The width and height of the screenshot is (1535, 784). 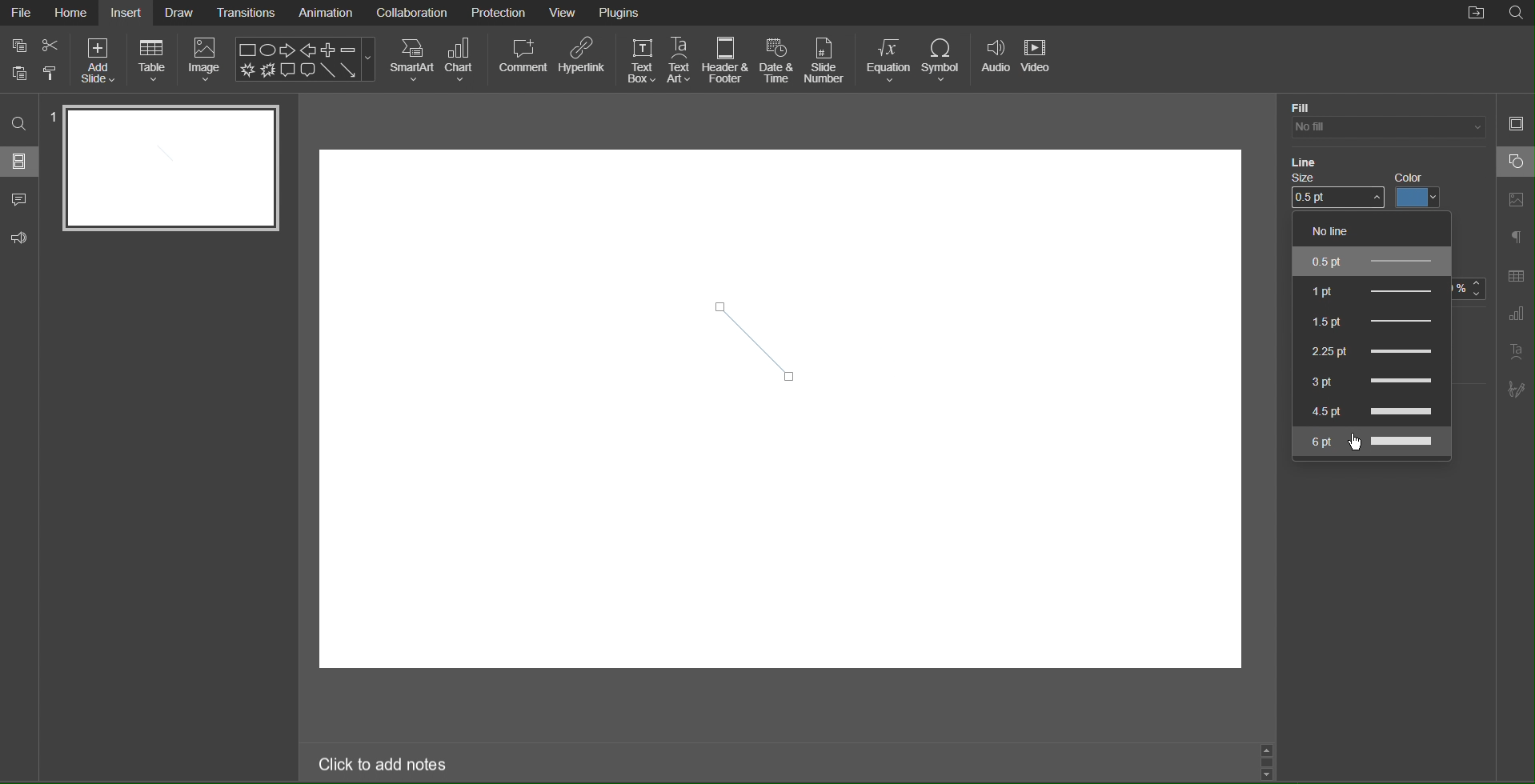 I want to click on Protection, so click(x=499, y=12).